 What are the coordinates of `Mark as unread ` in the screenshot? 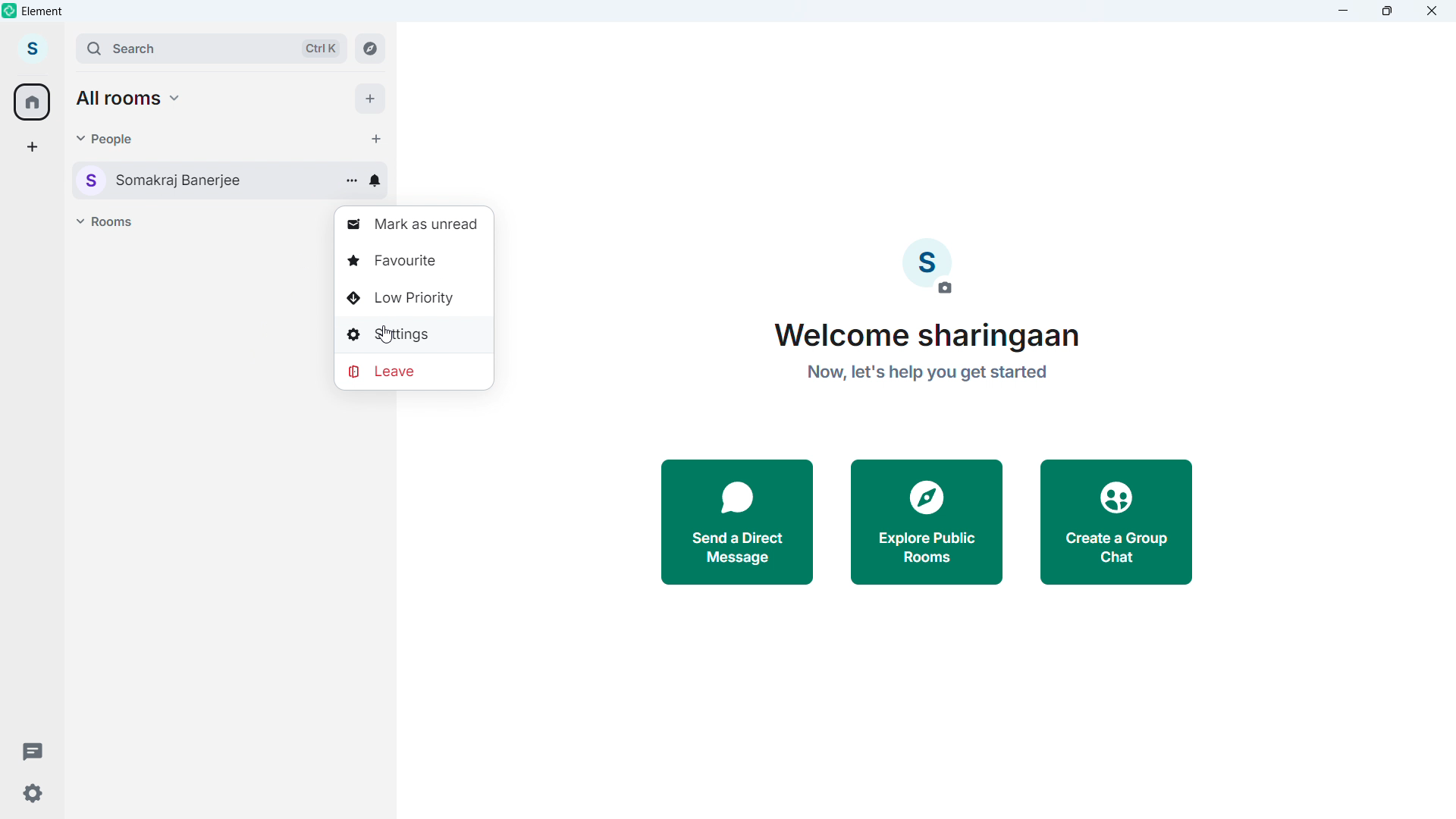 It's located at (410, 222).